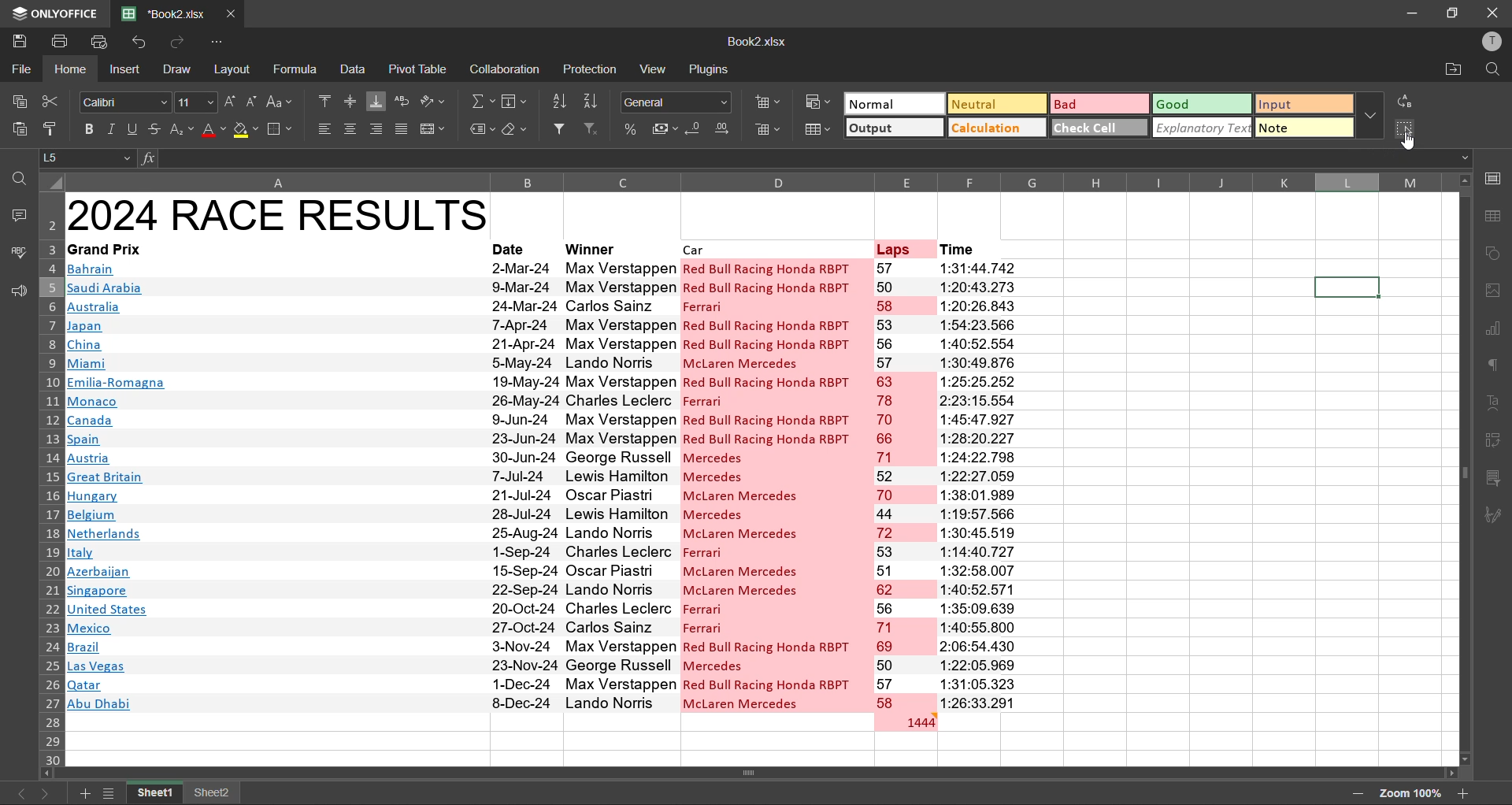 This screenshot has height=805, width=1512. I want to click on find, so click(1495, 69).